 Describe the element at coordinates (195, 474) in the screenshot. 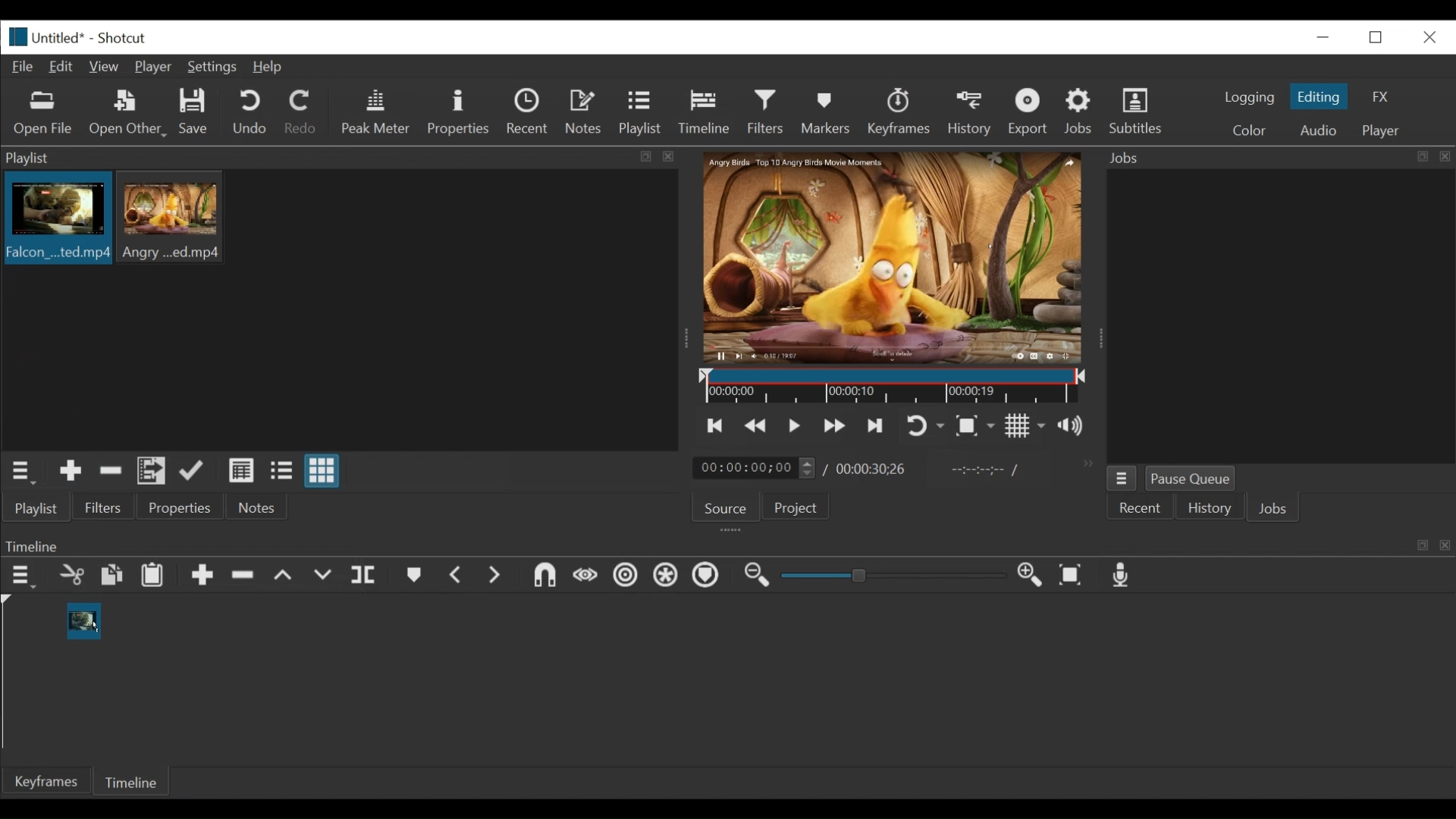

I see `update` at that location.